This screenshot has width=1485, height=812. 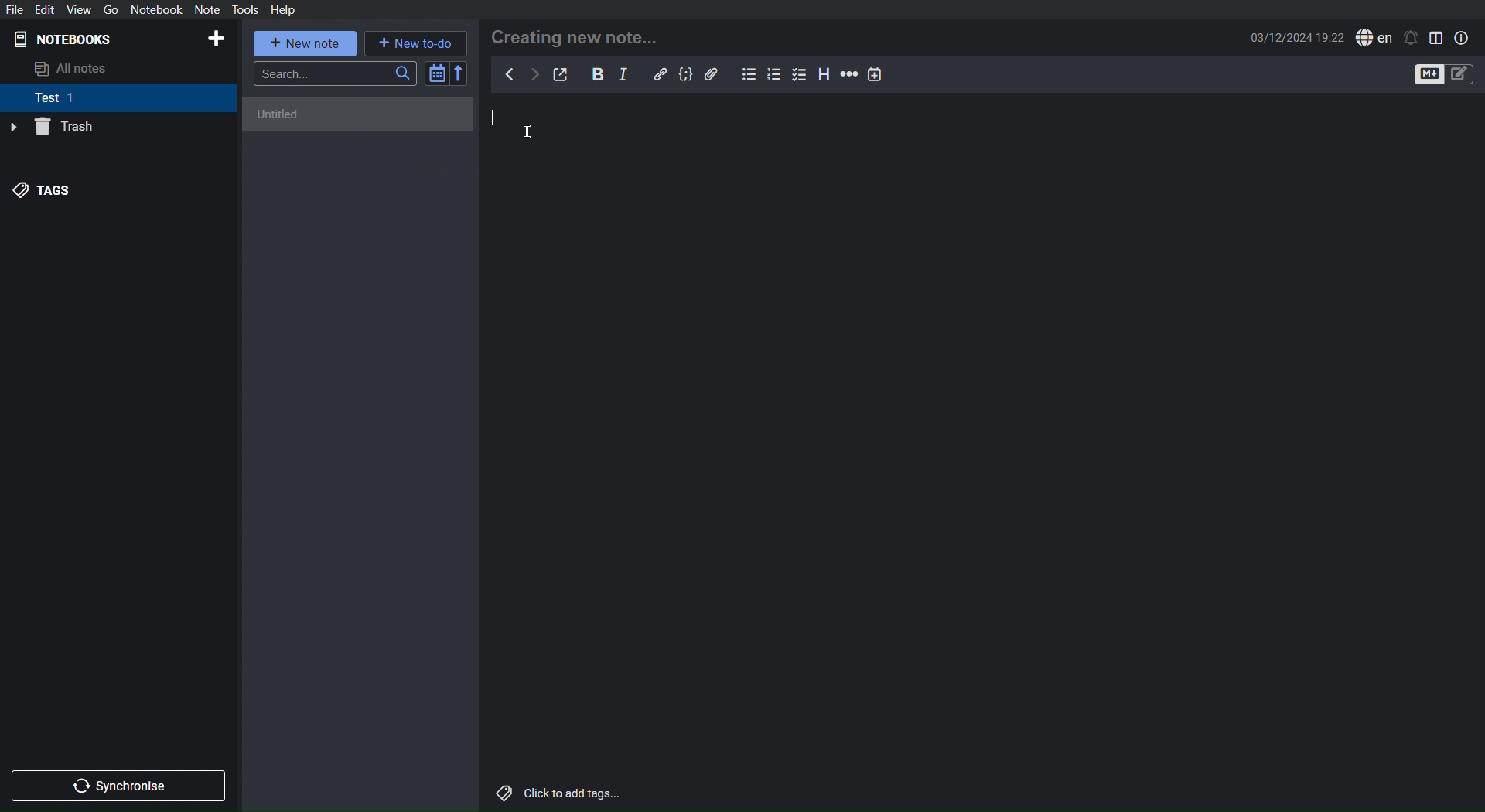 What do you see at coordinates (79, 10) in the screenshot?
I see `View` at bounding box center [79, 10].